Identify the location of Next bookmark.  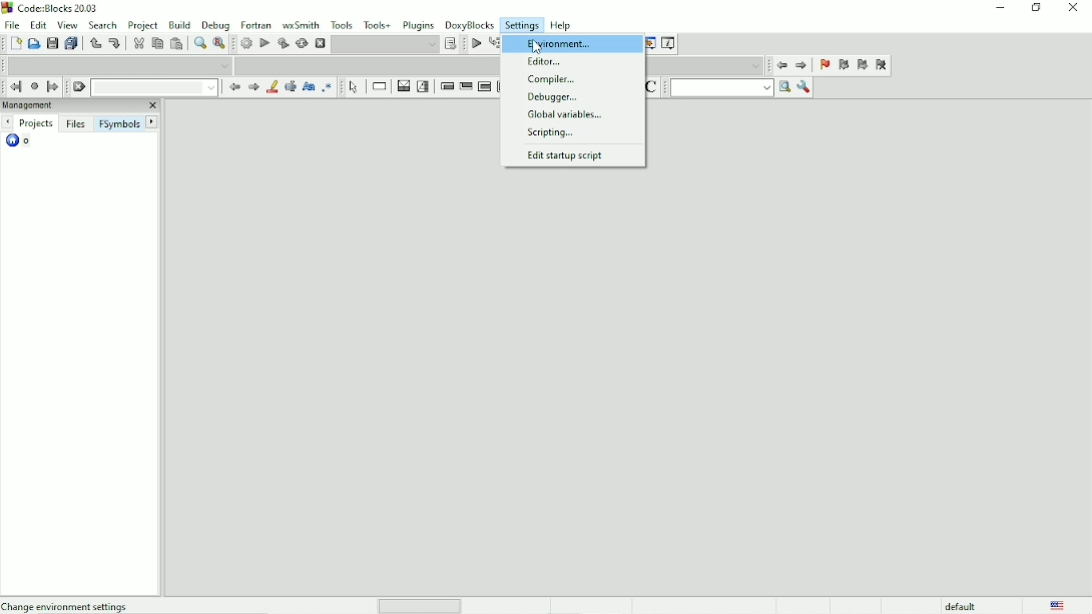
(861, 65).